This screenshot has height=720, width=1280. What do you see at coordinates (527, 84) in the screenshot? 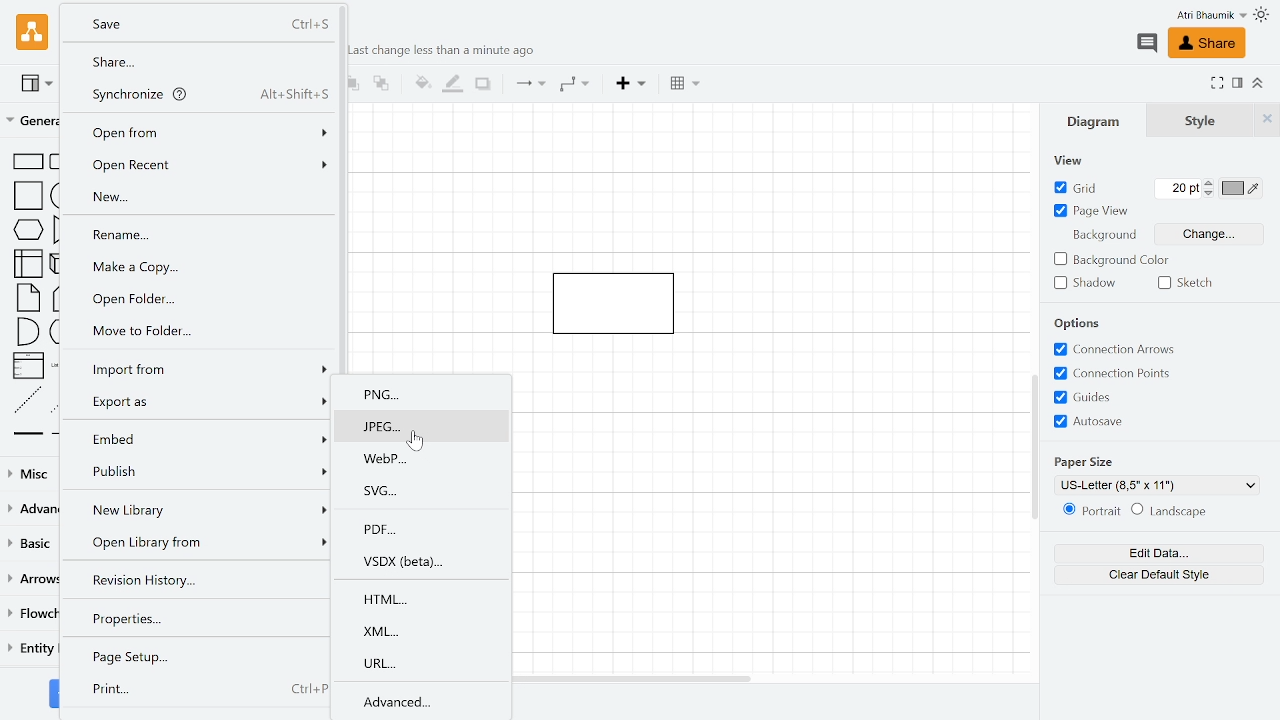
I see `Connection` at bounding box center [527, 84].